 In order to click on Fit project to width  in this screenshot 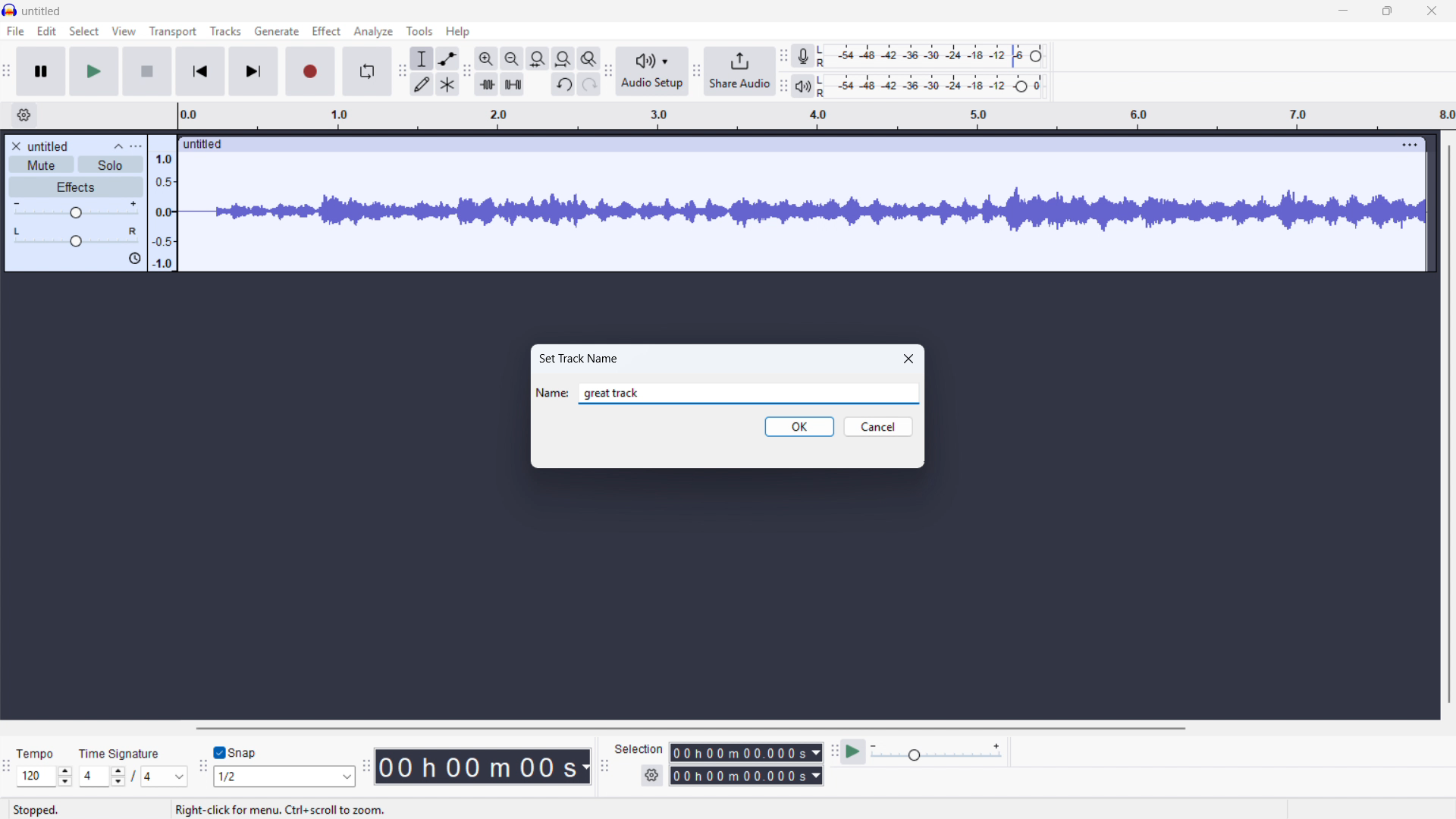, I will do `click(538, 59)`.